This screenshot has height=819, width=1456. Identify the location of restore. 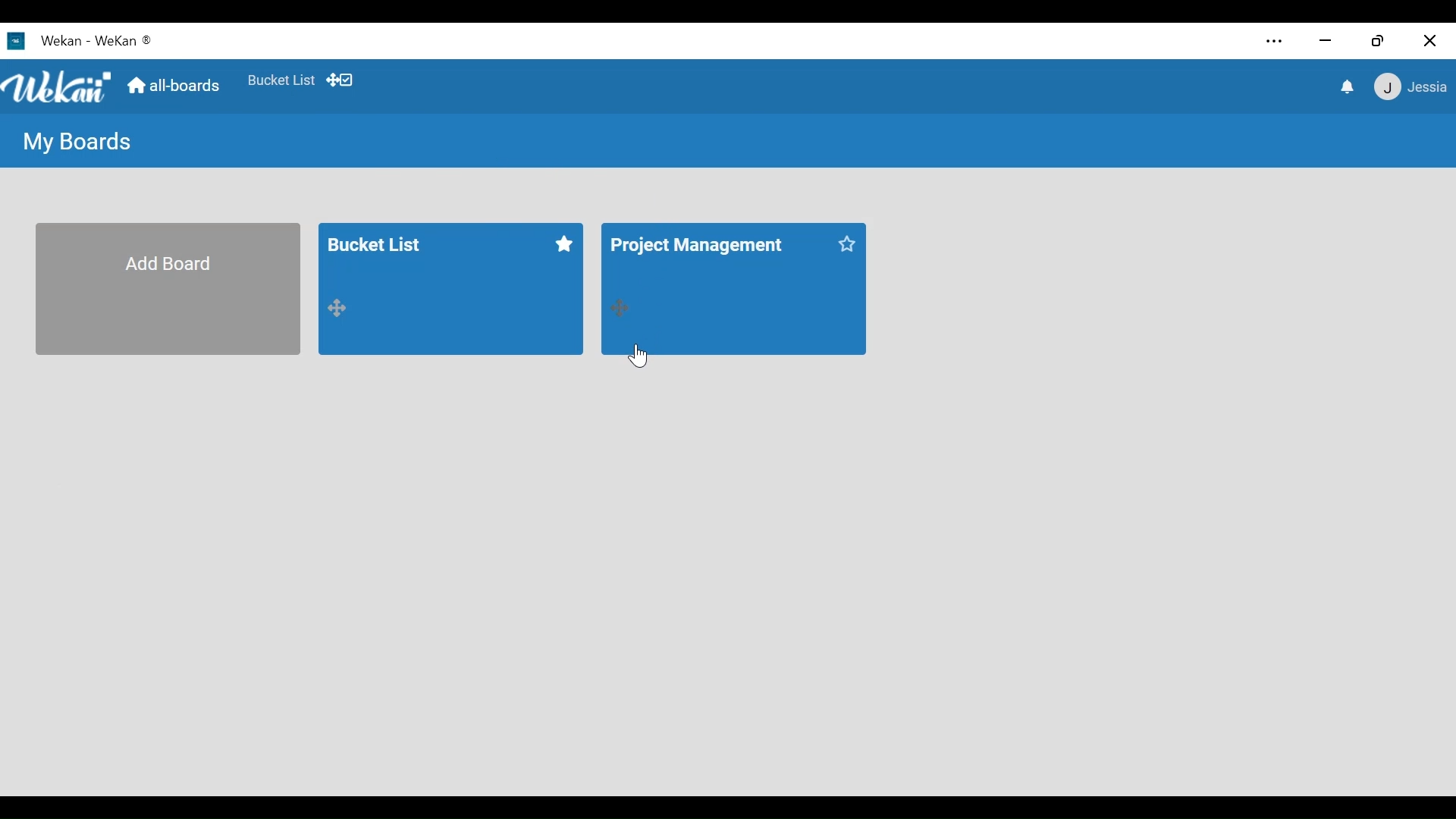
(1379, 40).